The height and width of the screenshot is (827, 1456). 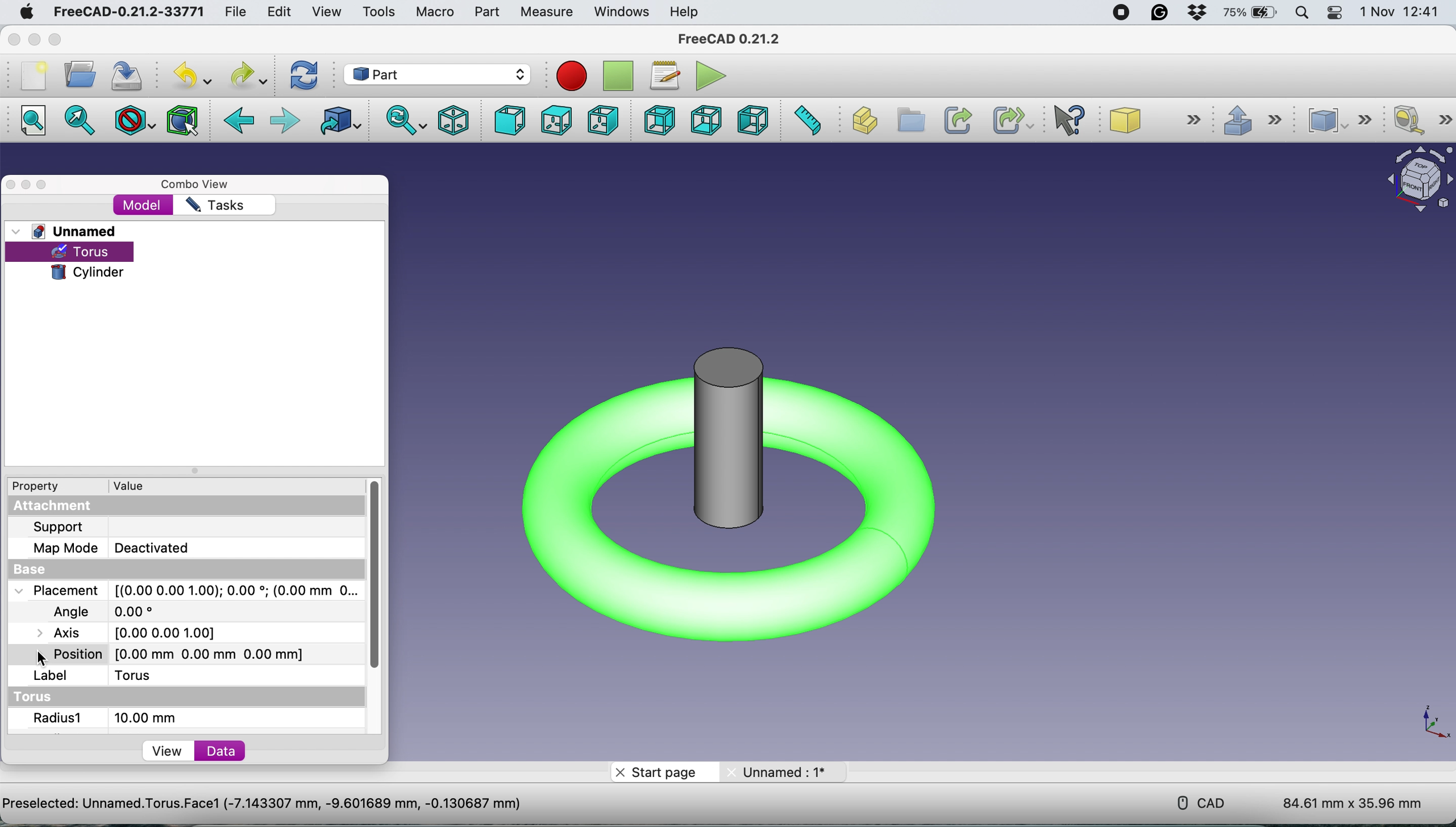 What do you see at coordinates (1251, 12) in the screenshot?
I see `battery` at bounding box center [1251, 12].